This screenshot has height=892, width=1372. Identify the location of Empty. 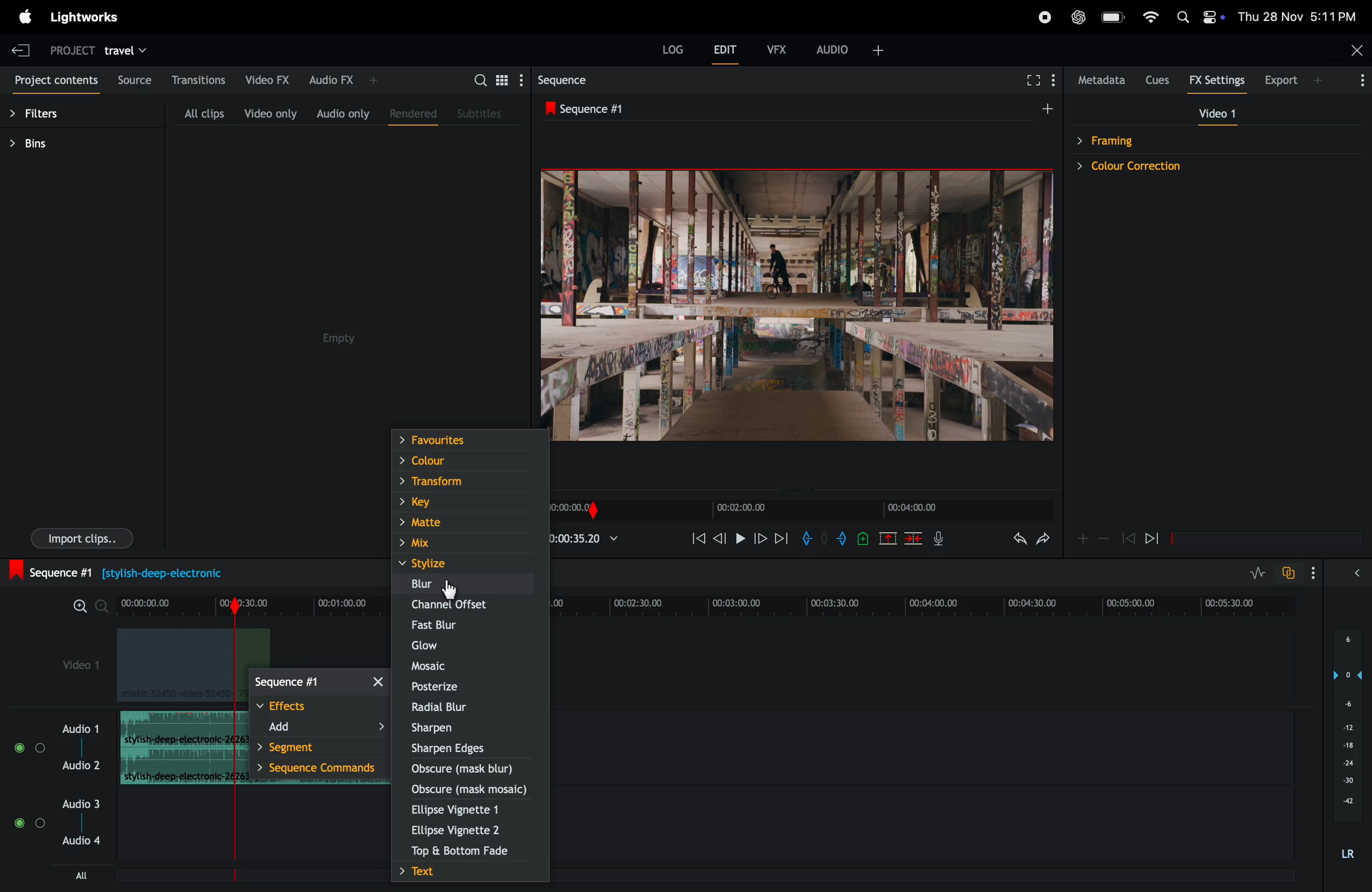
(347, 338).